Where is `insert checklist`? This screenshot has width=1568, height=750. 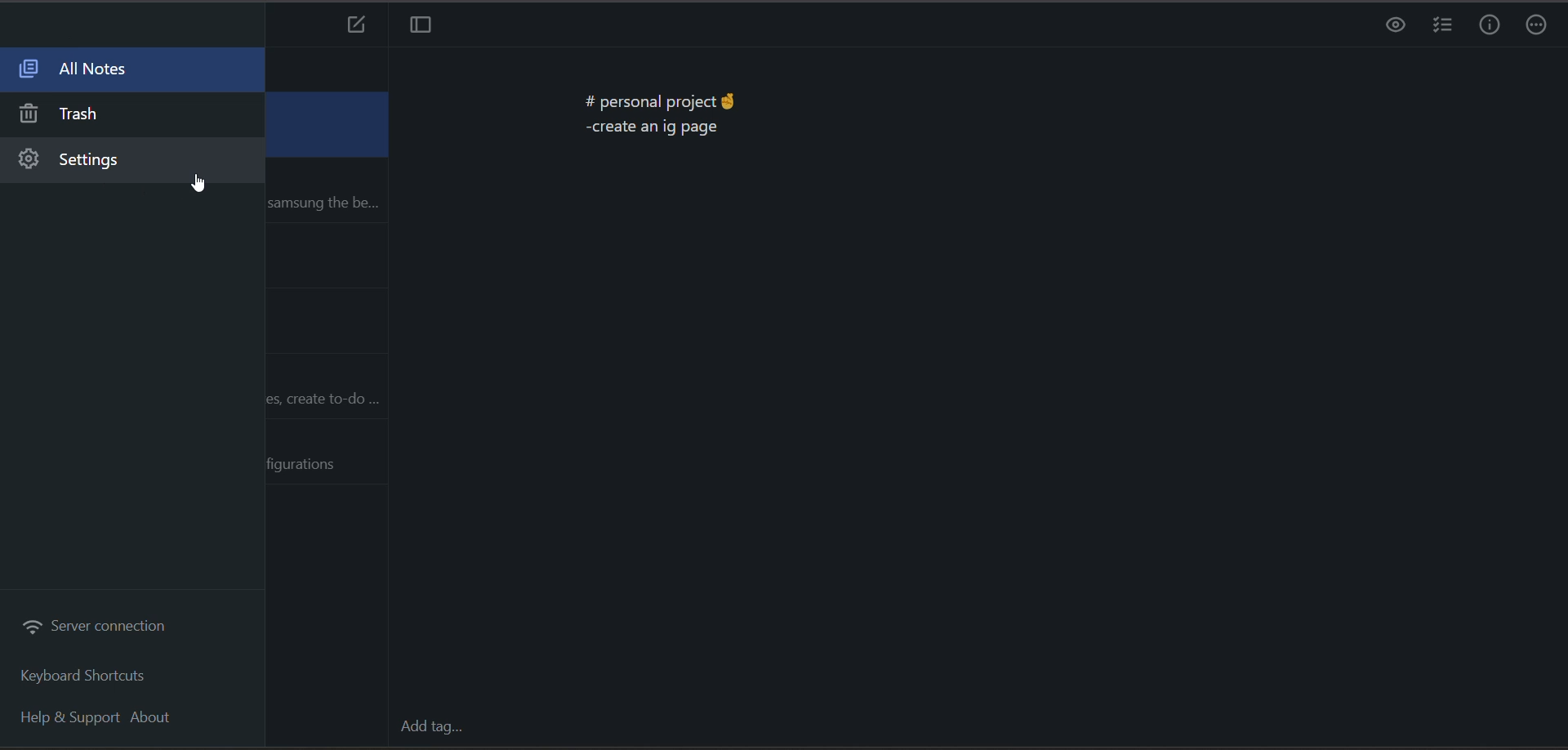
insert checklist is located at coordinates (1443, 26).